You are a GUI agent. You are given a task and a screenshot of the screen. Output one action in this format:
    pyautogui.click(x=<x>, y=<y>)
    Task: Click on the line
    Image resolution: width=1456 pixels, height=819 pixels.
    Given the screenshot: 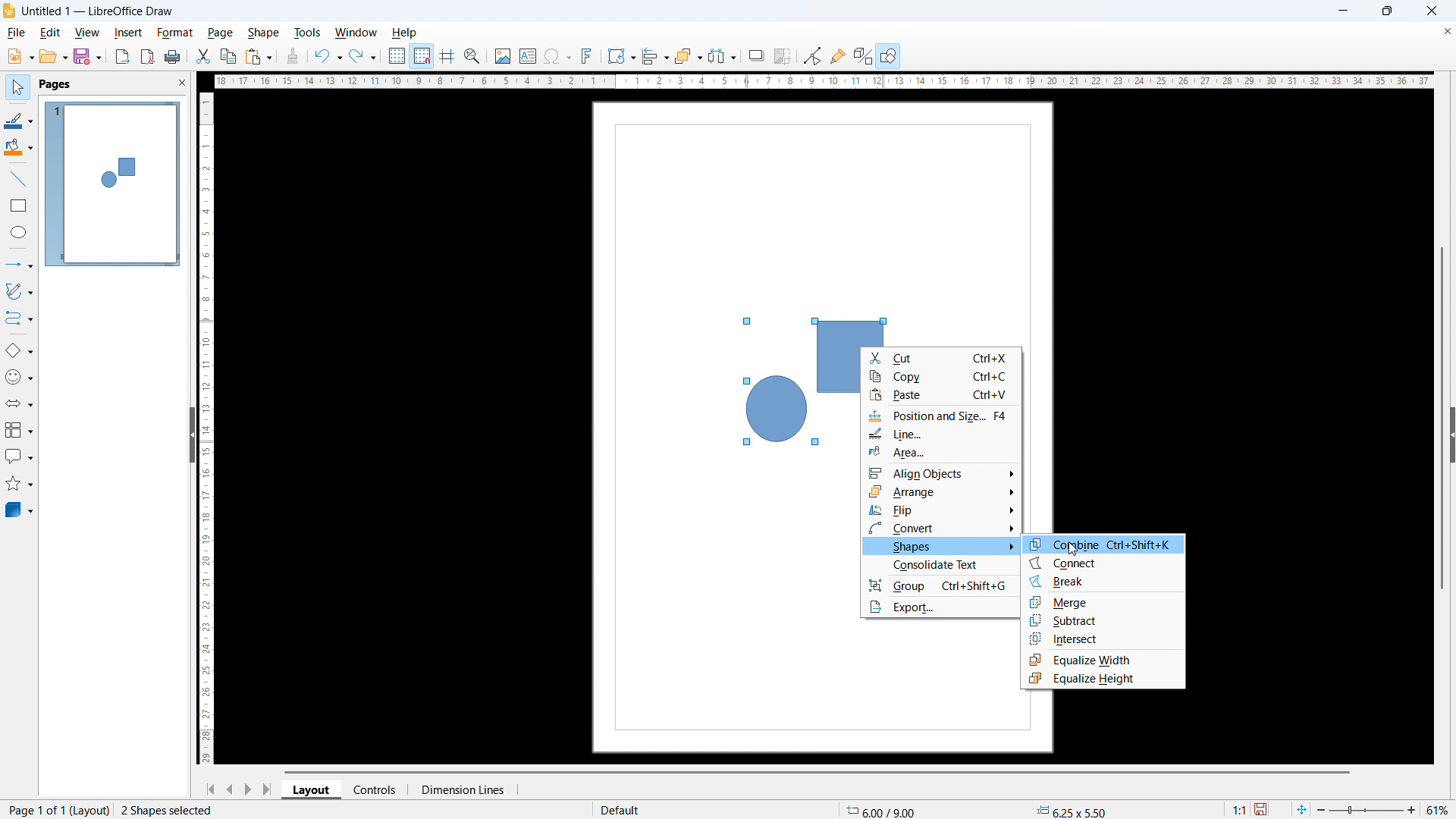 What is the action you would take?
    pyautogui.click(x=942, y=432)
    